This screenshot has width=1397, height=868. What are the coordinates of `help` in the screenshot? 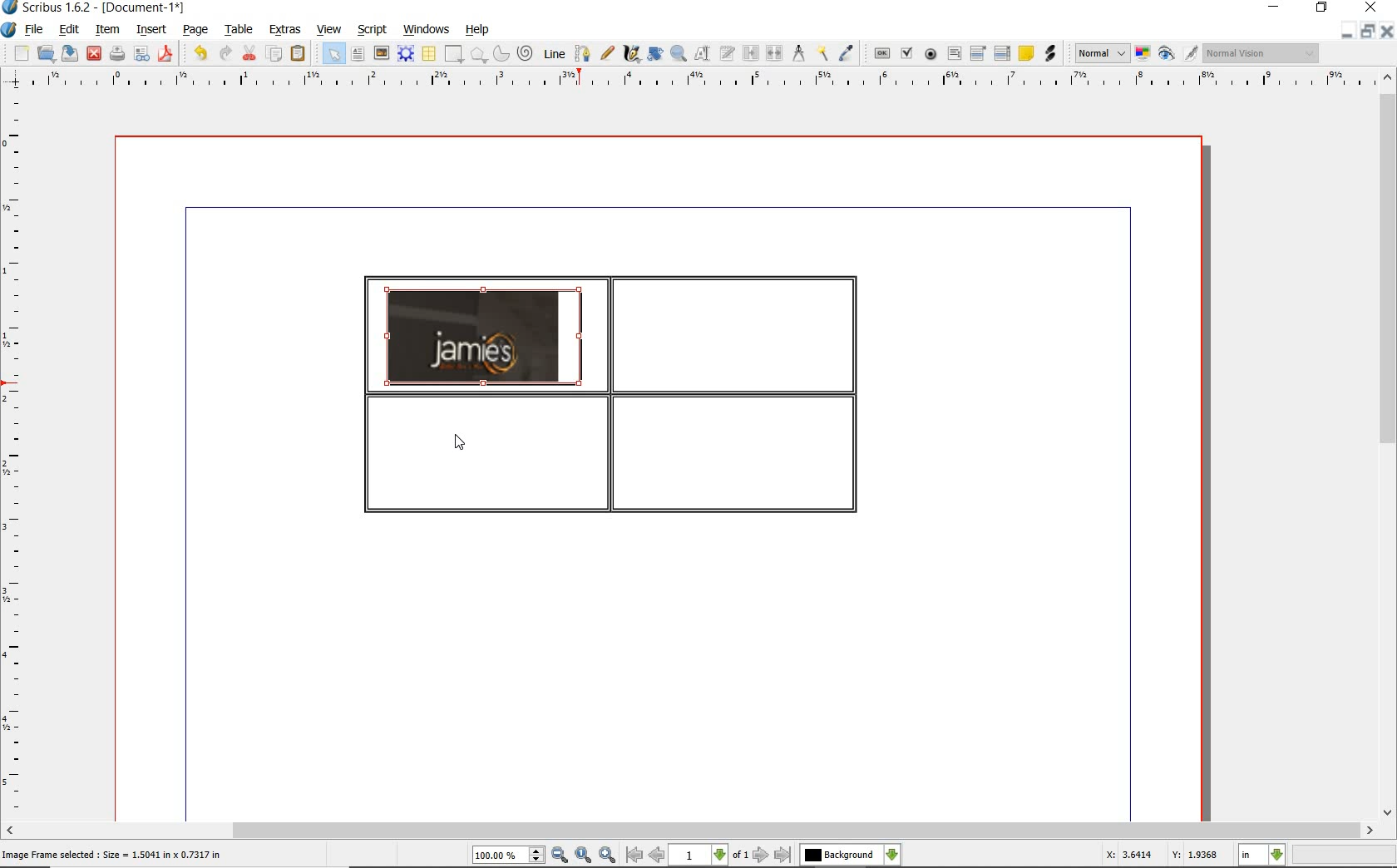 It's located at (477, 30).